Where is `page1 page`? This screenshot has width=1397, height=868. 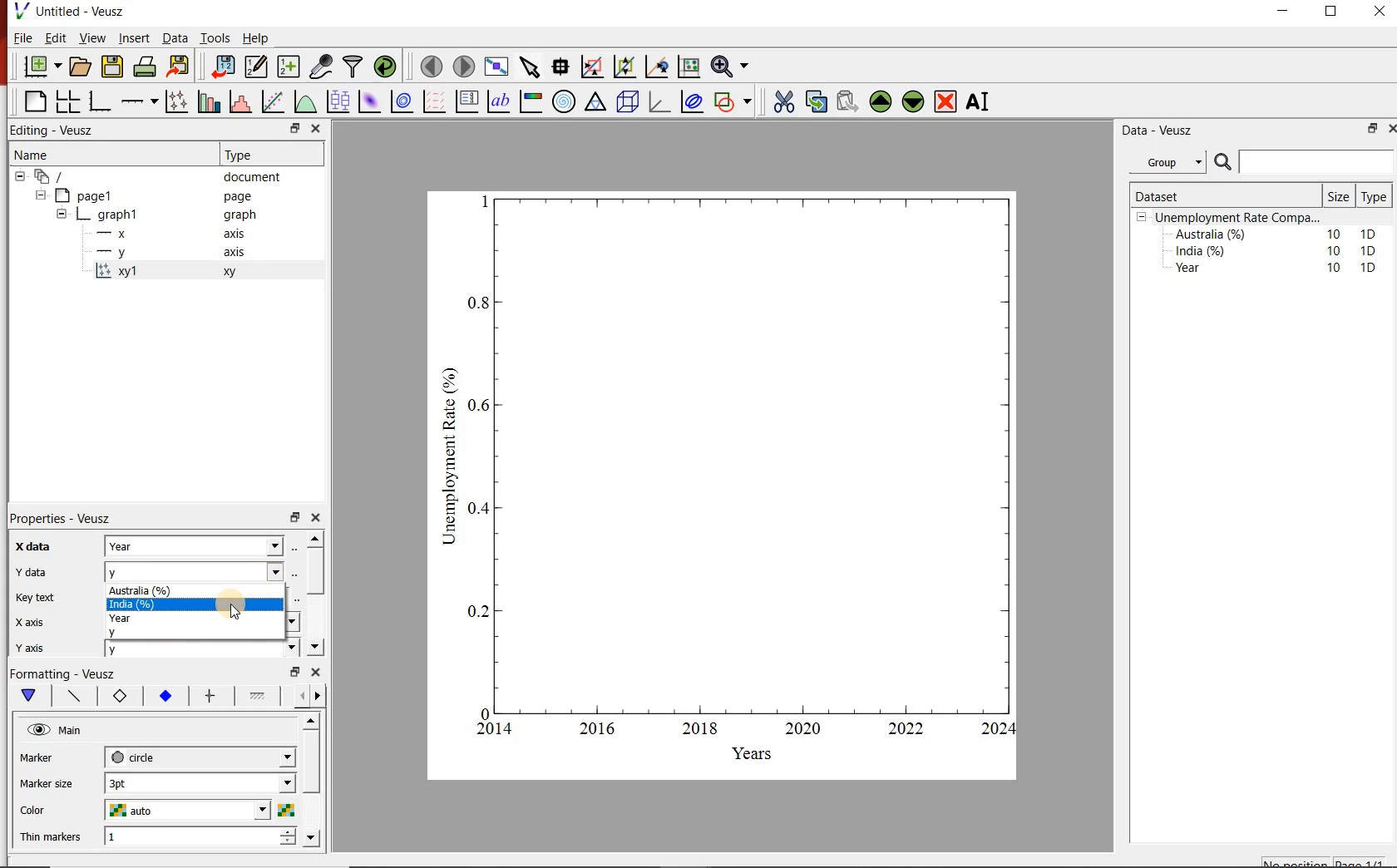
page1 page is located at coordinates (160, 195).